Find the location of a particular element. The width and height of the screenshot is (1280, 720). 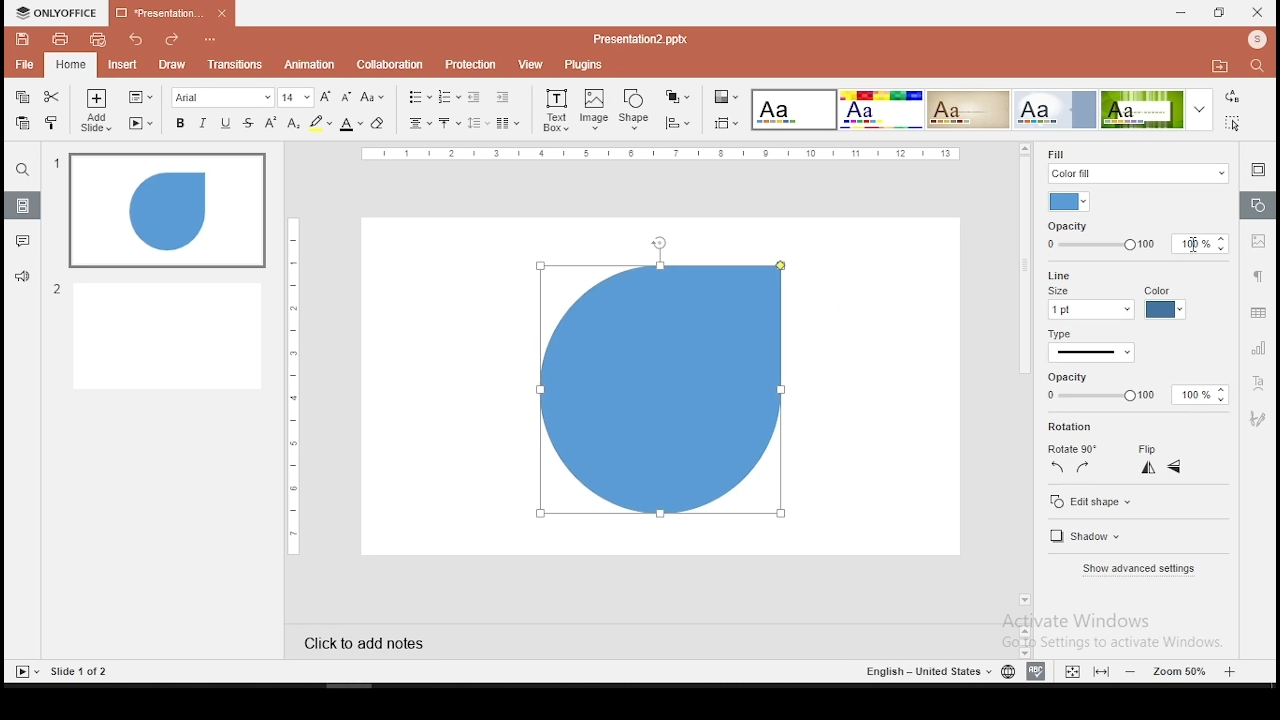

line color is located at coordinates (1164, 303).